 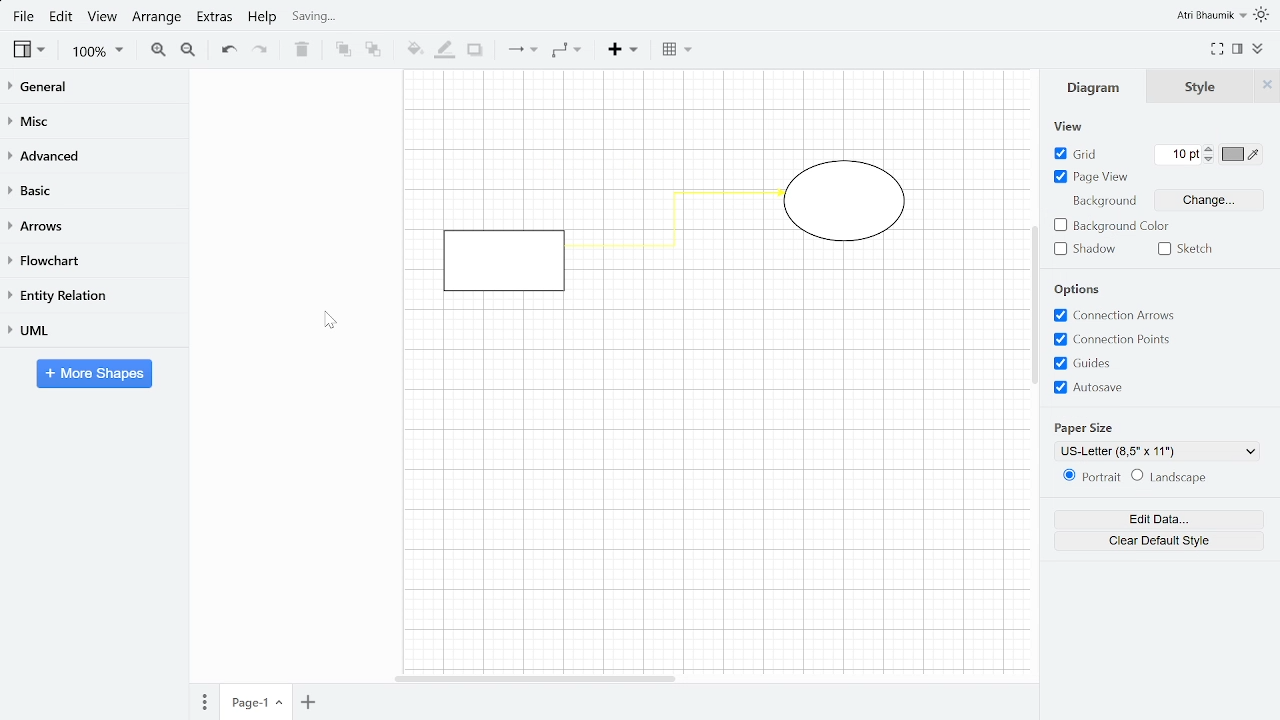 I want to click on Undo, so click(x=227, y=50).